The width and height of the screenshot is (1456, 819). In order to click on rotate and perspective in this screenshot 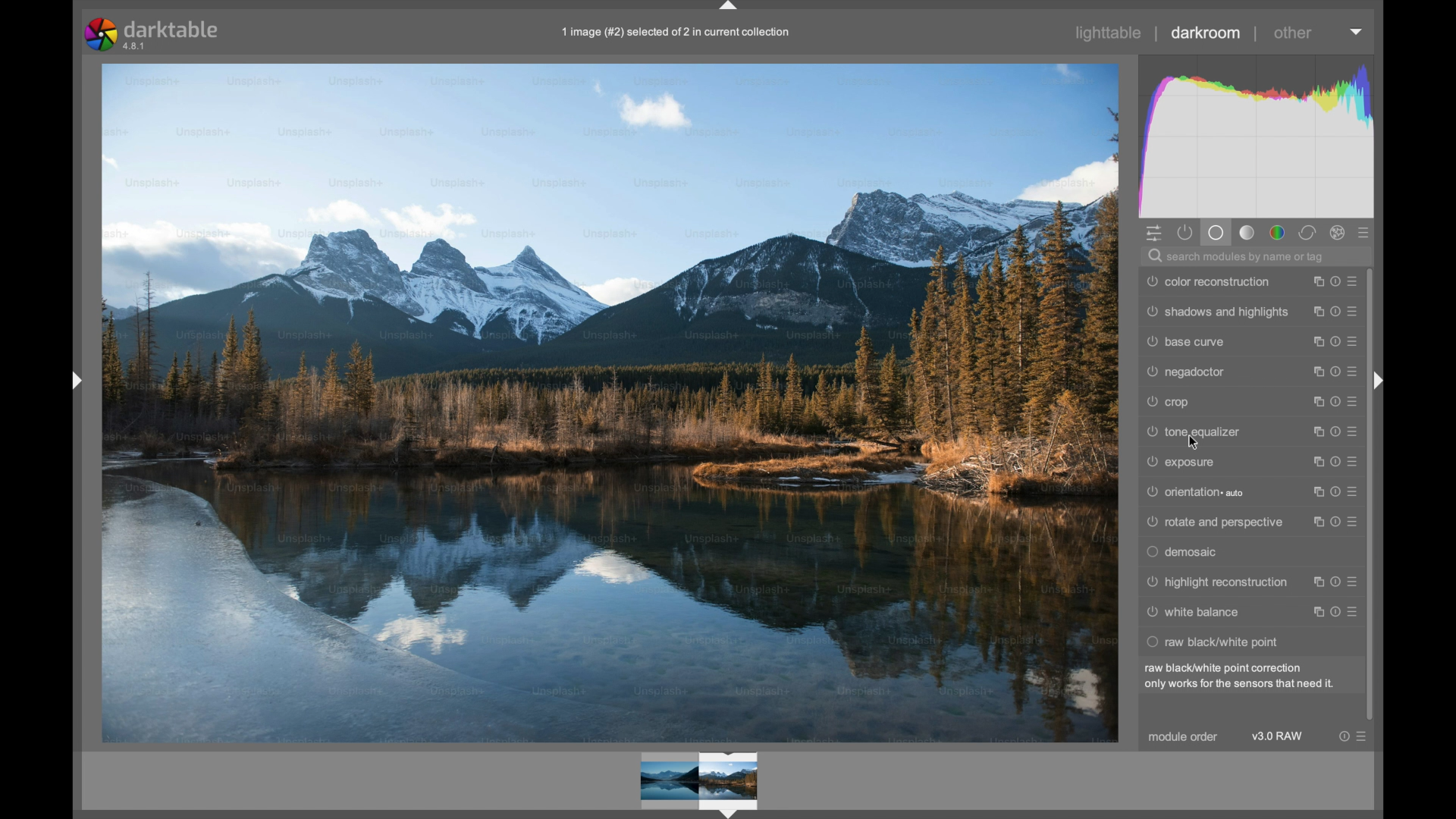, I will do `click(1215, 522)`.